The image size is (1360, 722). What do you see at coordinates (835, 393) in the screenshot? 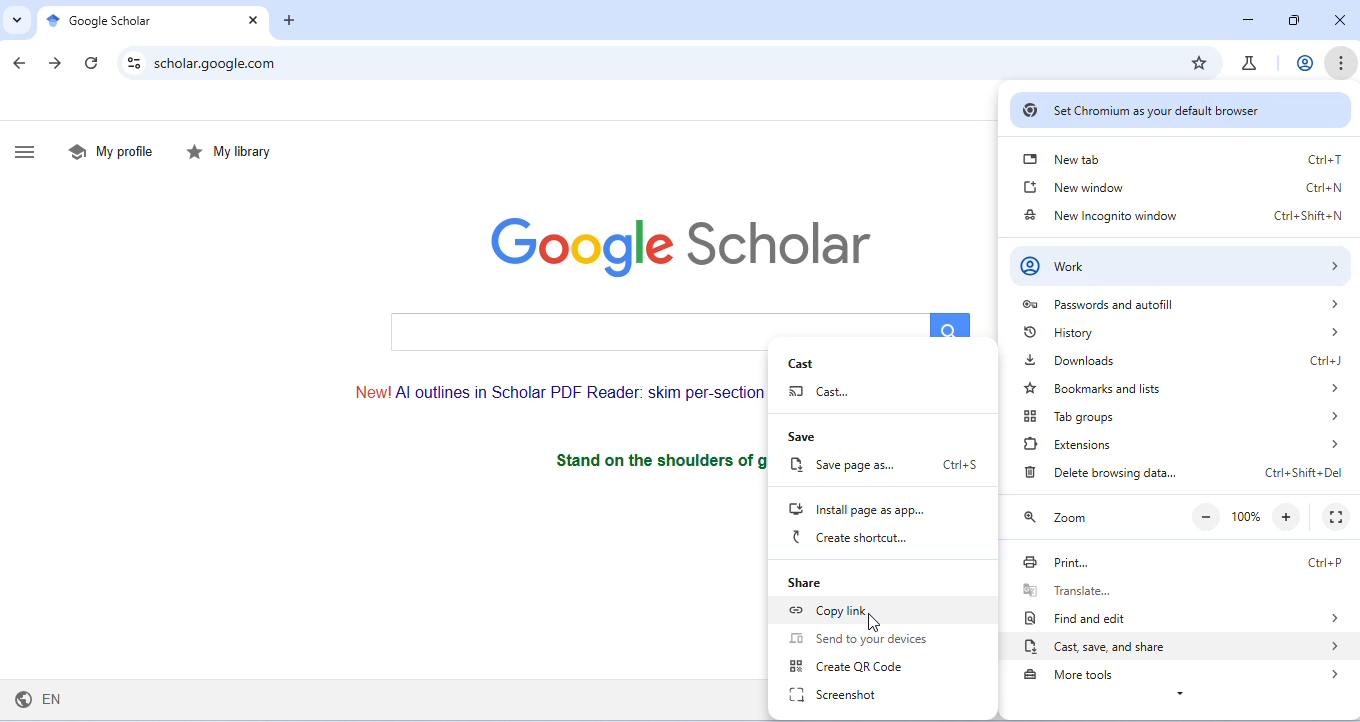
I see `cast` at bounding box center [835, 393].